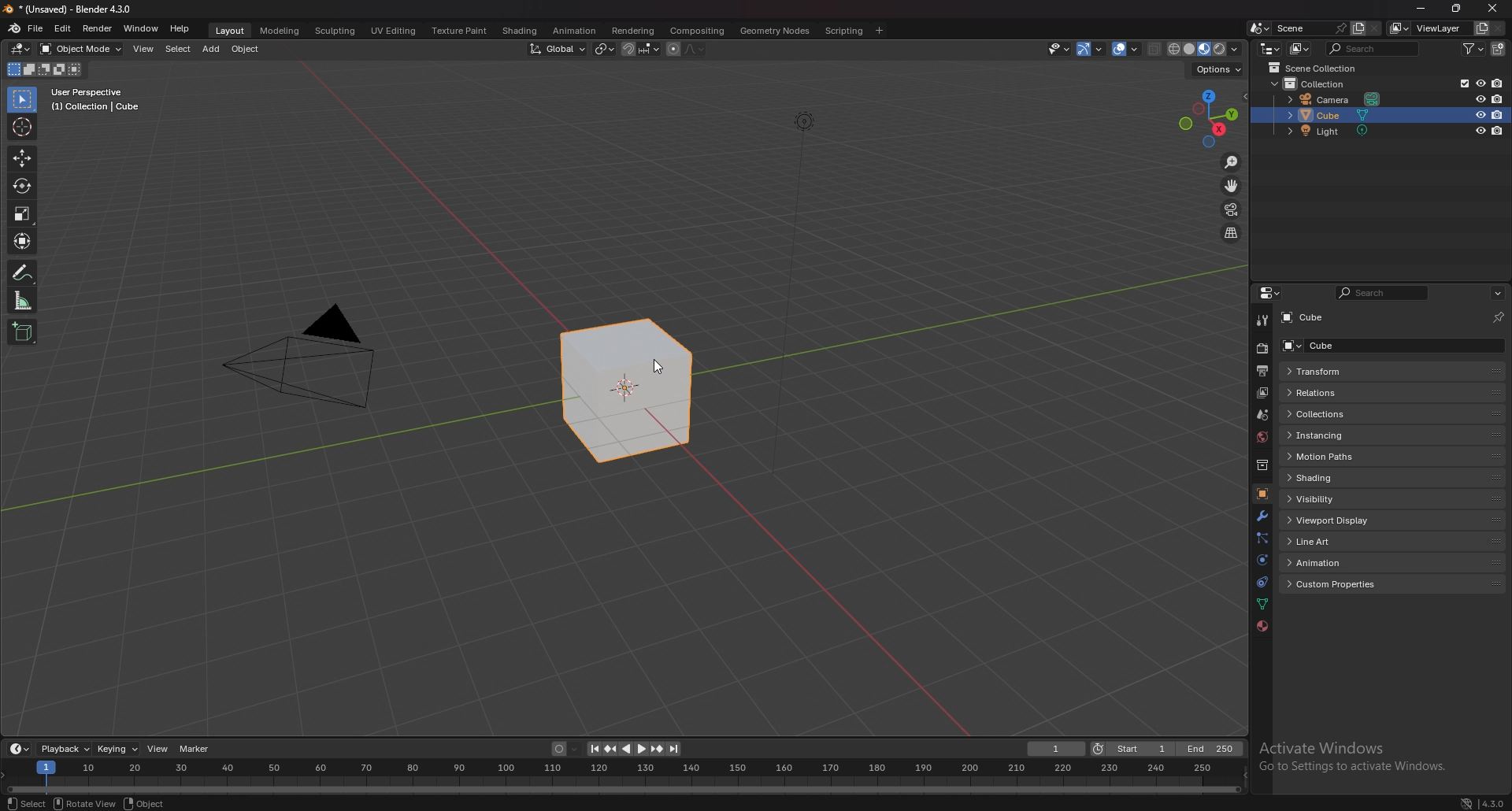 The height and width of the screenshot is (811, 1512). I want to click on disable in renders, so click(1499, 99).